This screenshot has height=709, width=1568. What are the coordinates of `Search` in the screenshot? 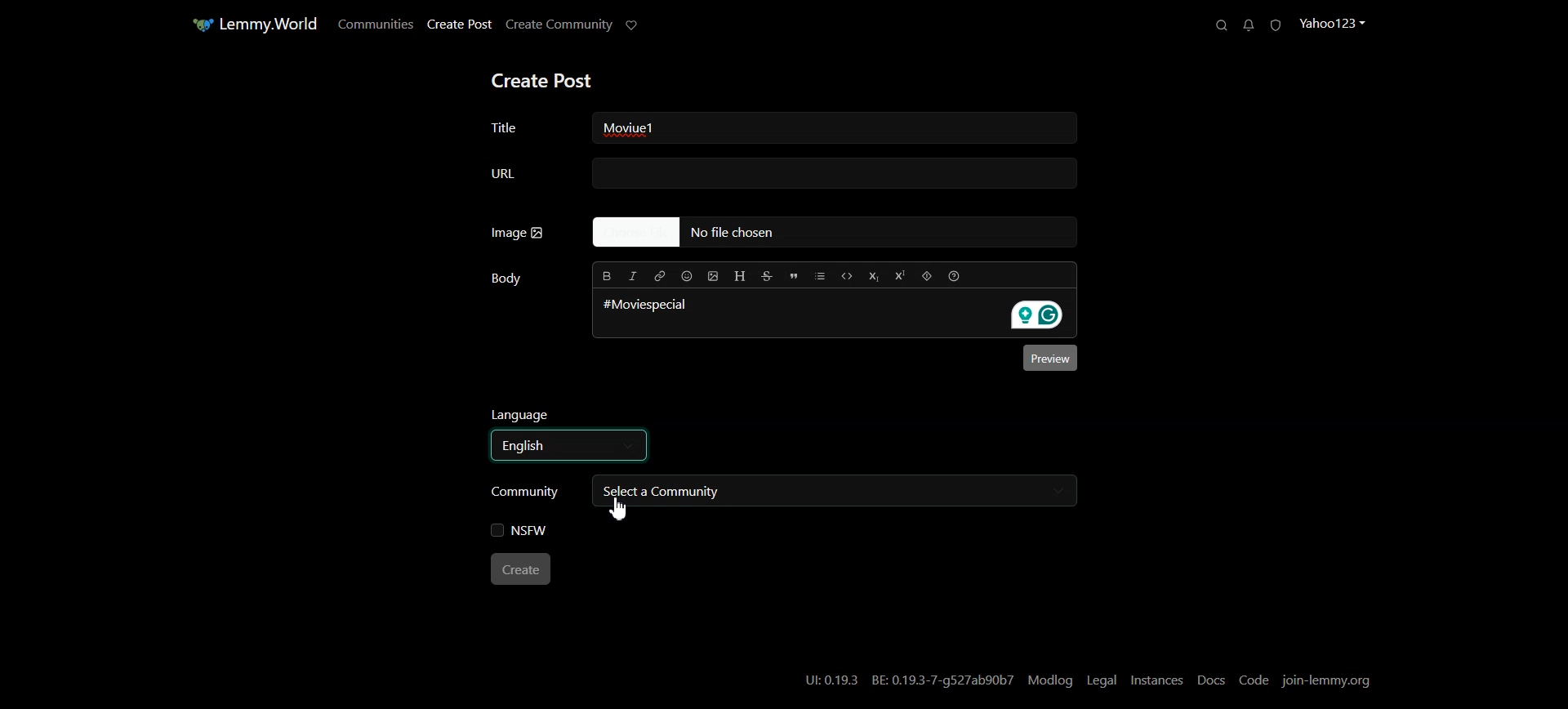 It's located at (1217, 25).